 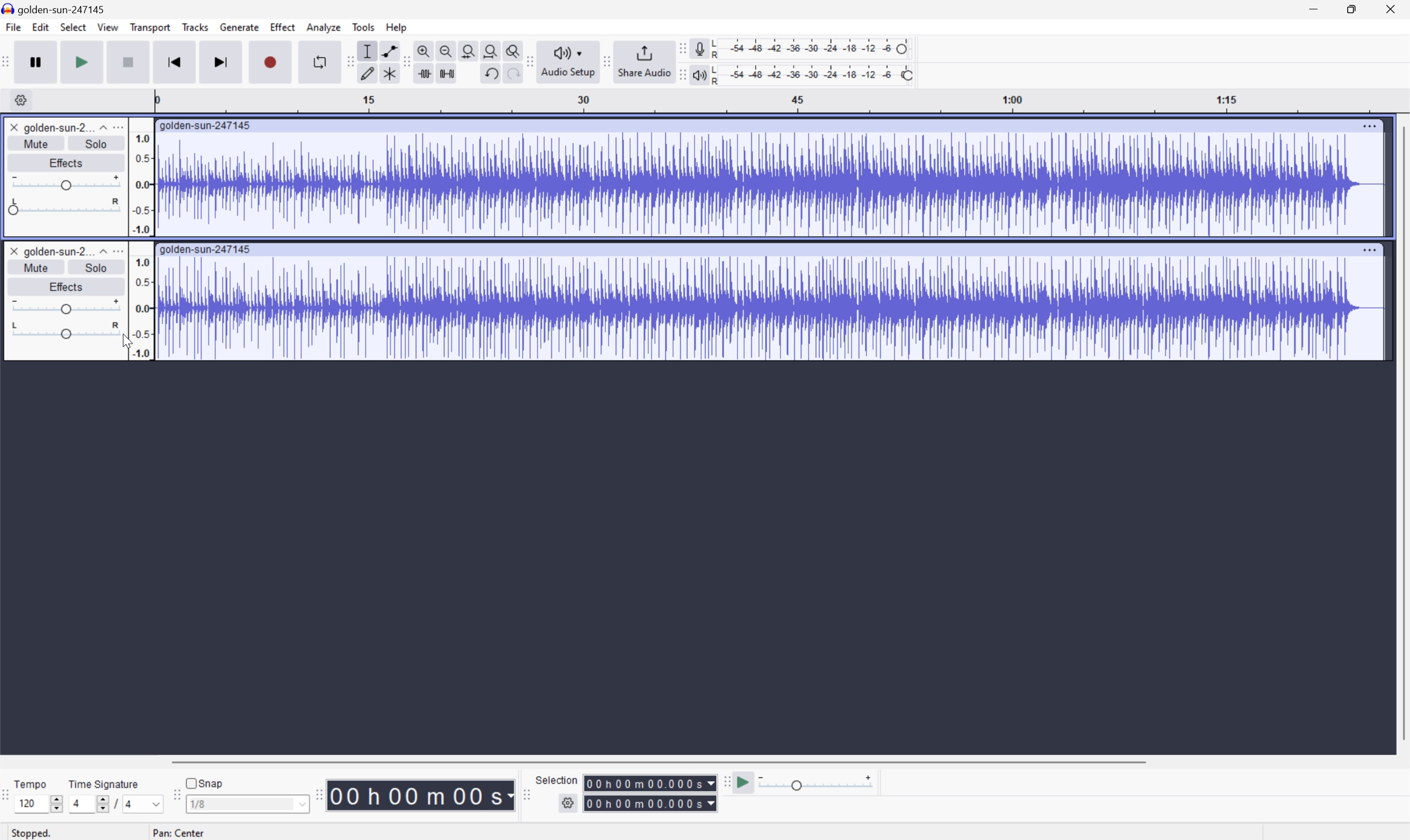 What do you see at coordinates (745, 783) in the screenshot?
I see `Play at speed` at bounding box center [745, 783].